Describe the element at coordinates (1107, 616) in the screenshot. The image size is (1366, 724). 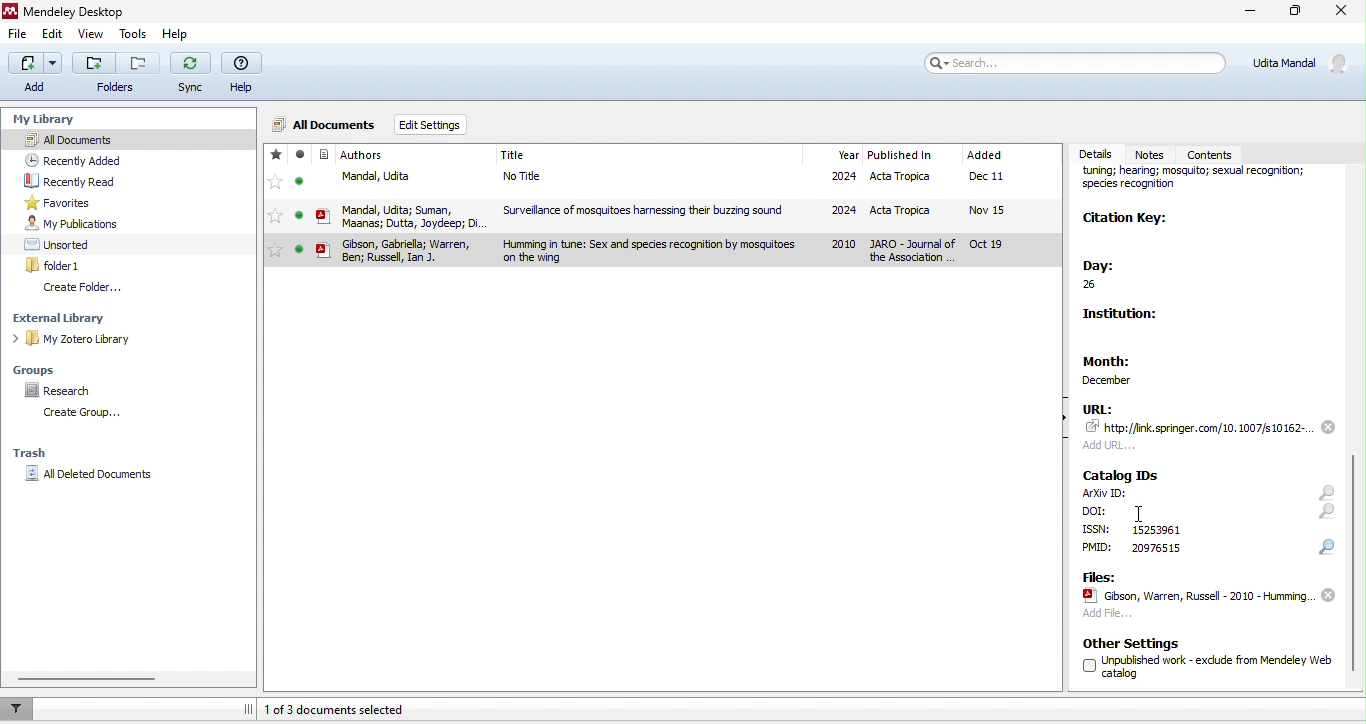
I see `add file` at that location.